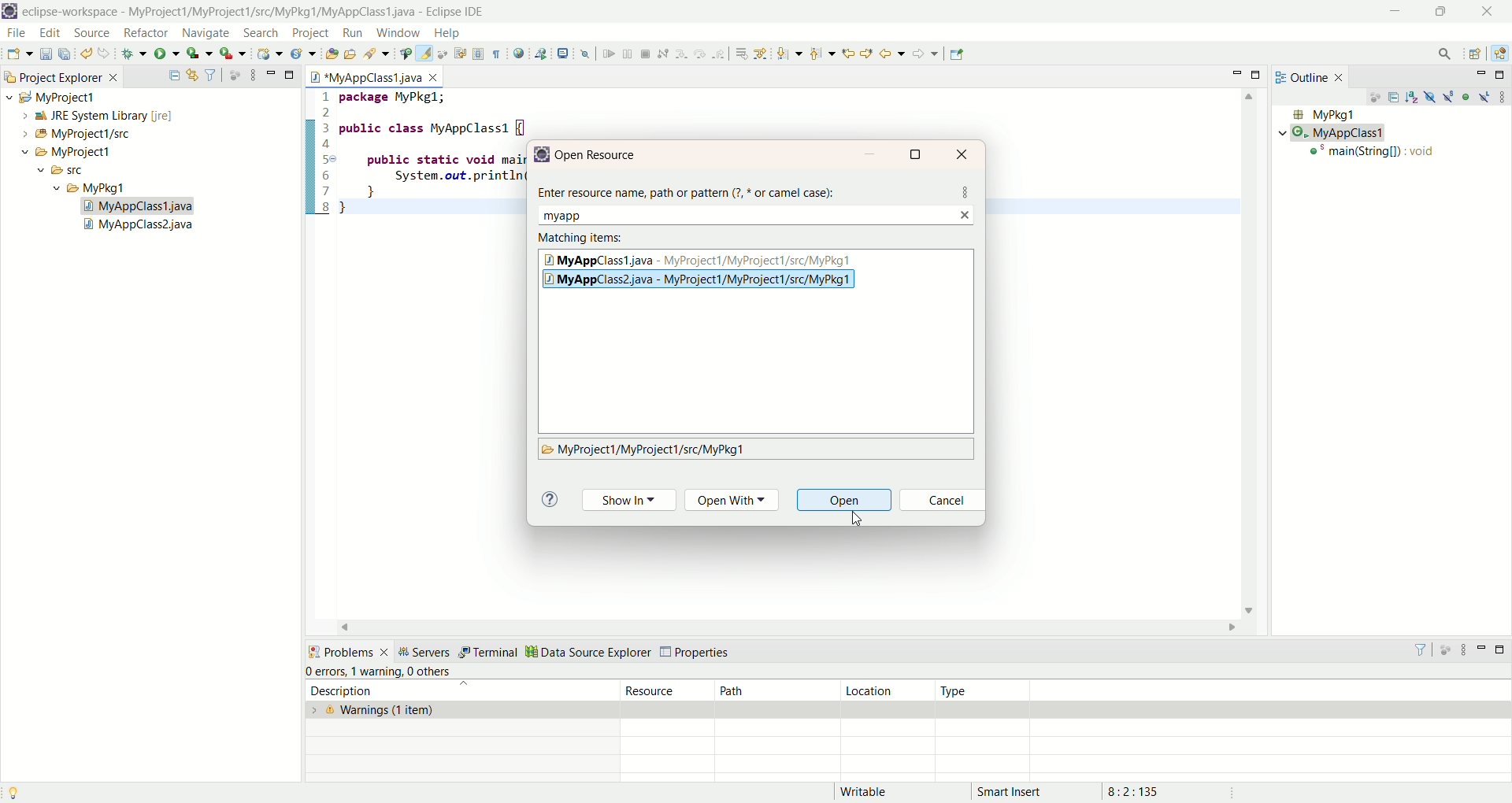 This screenshot has width=1512, height=803. Describe the element at coordinates (847, 54) in the screenshot. I see `previous edit location` at that location.